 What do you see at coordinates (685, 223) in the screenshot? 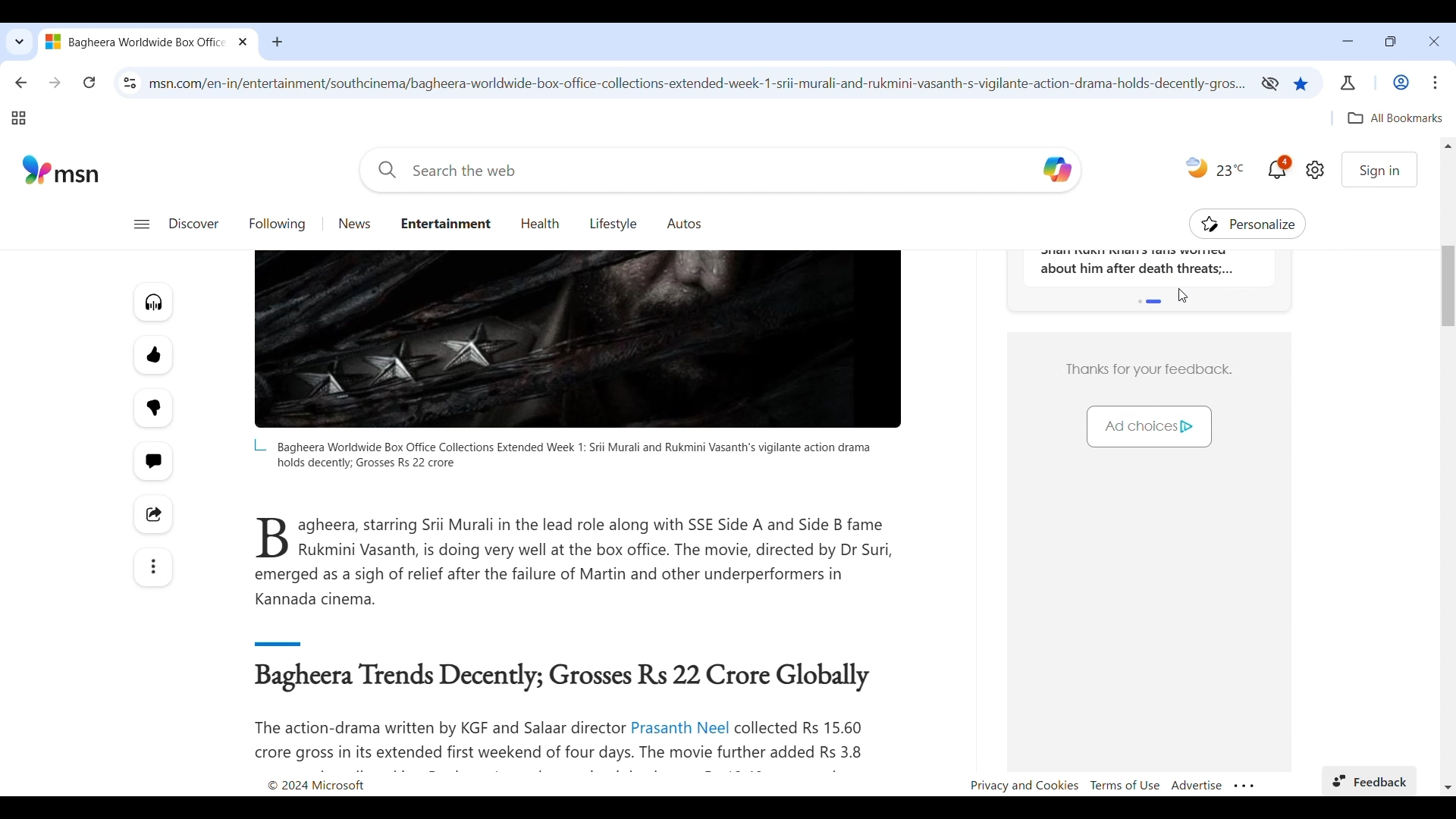
I see `Go to Autos page` at bounding box center [685, 223].